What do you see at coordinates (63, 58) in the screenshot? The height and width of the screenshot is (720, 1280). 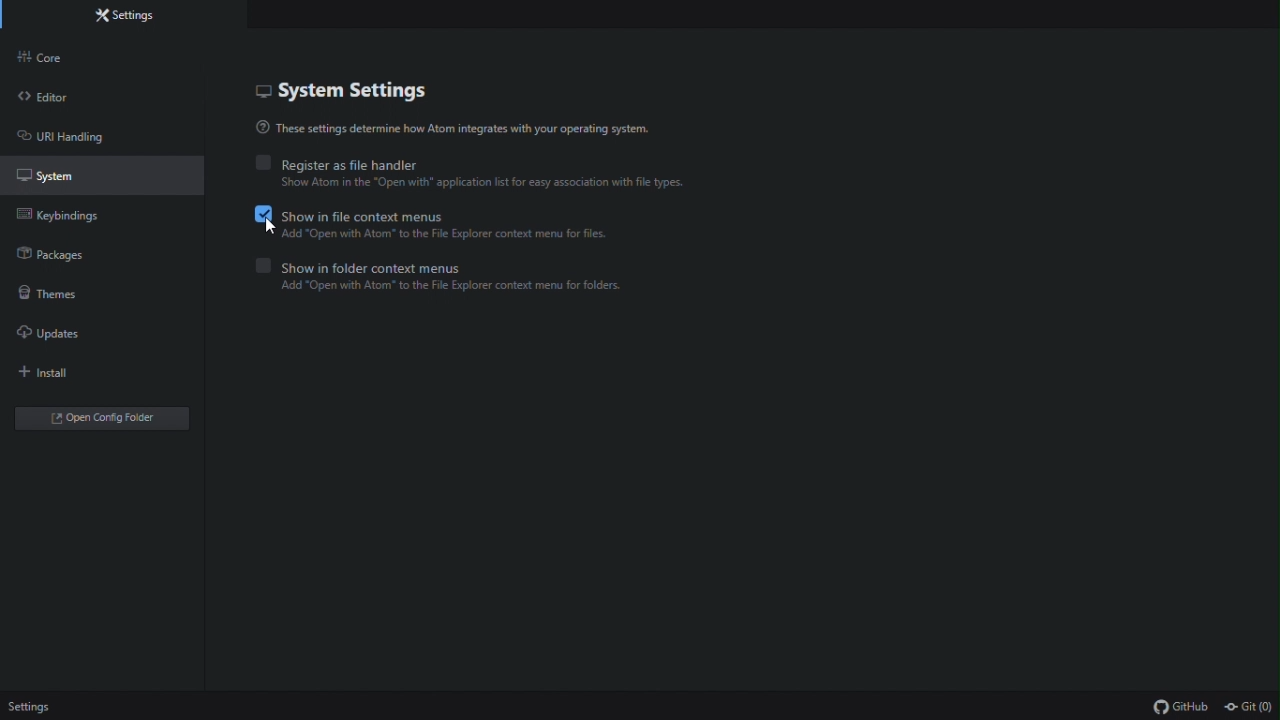 I see `Core` at bounding box center [63, 58].